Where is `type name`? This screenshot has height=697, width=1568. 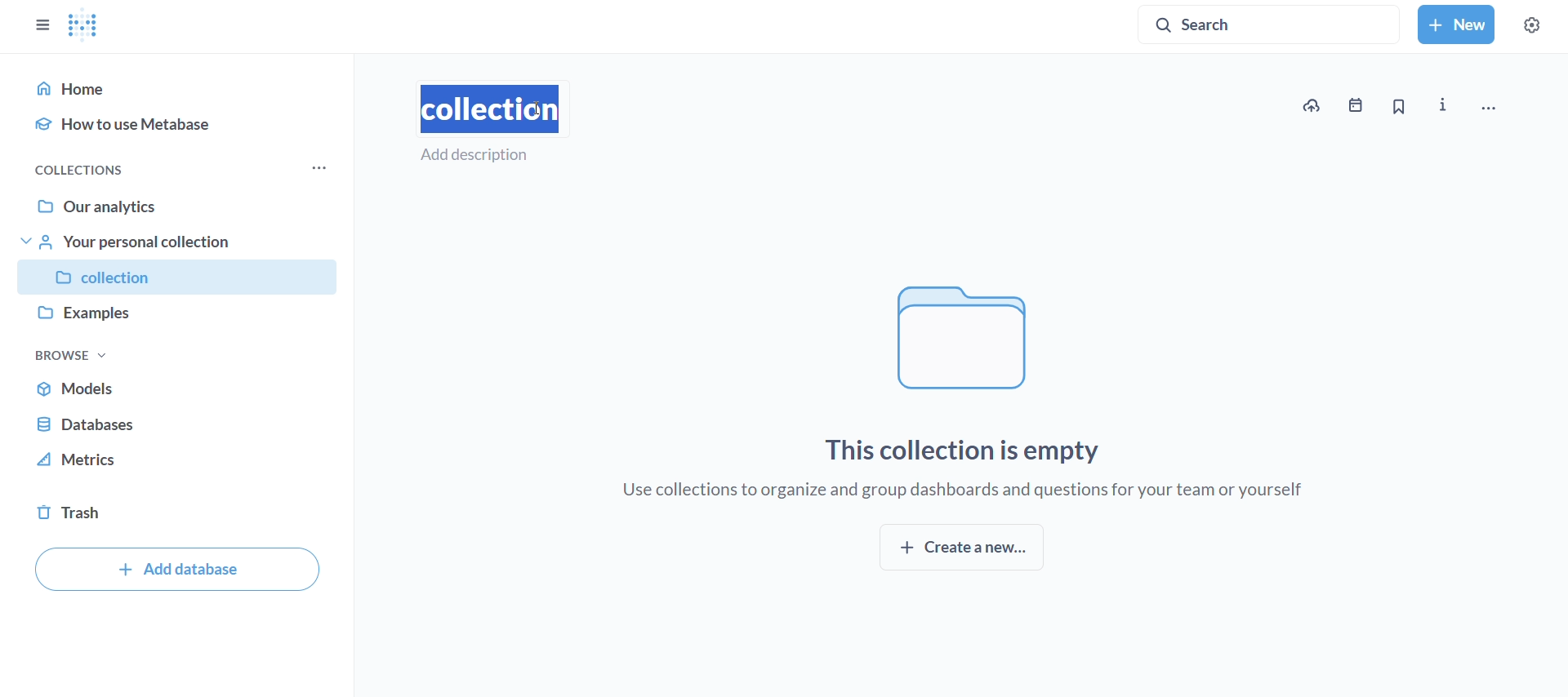
type name is located at coordinates (491, 109).